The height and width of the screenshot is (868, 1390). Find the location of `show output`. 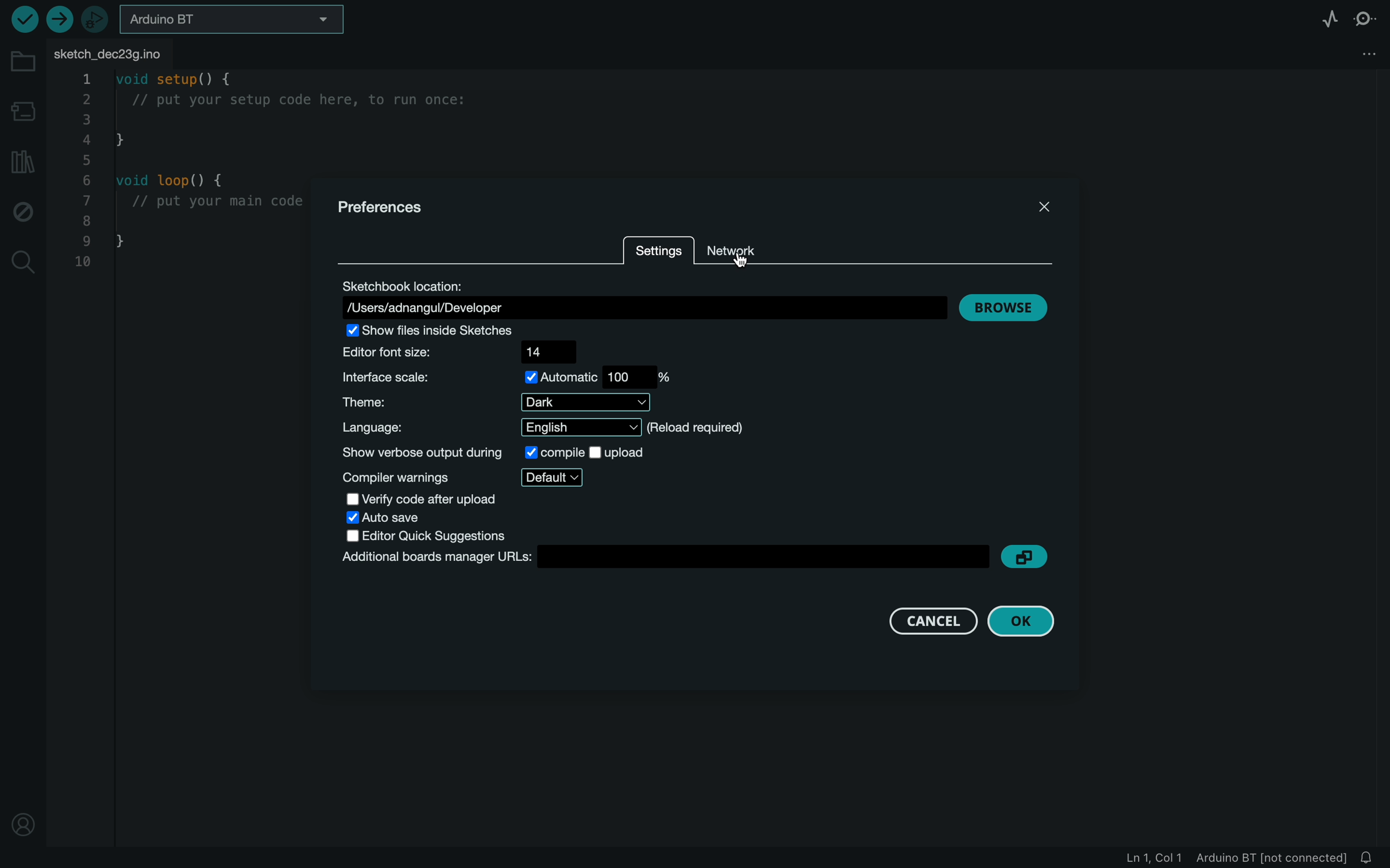

show output is located at coordinates (493, 452).